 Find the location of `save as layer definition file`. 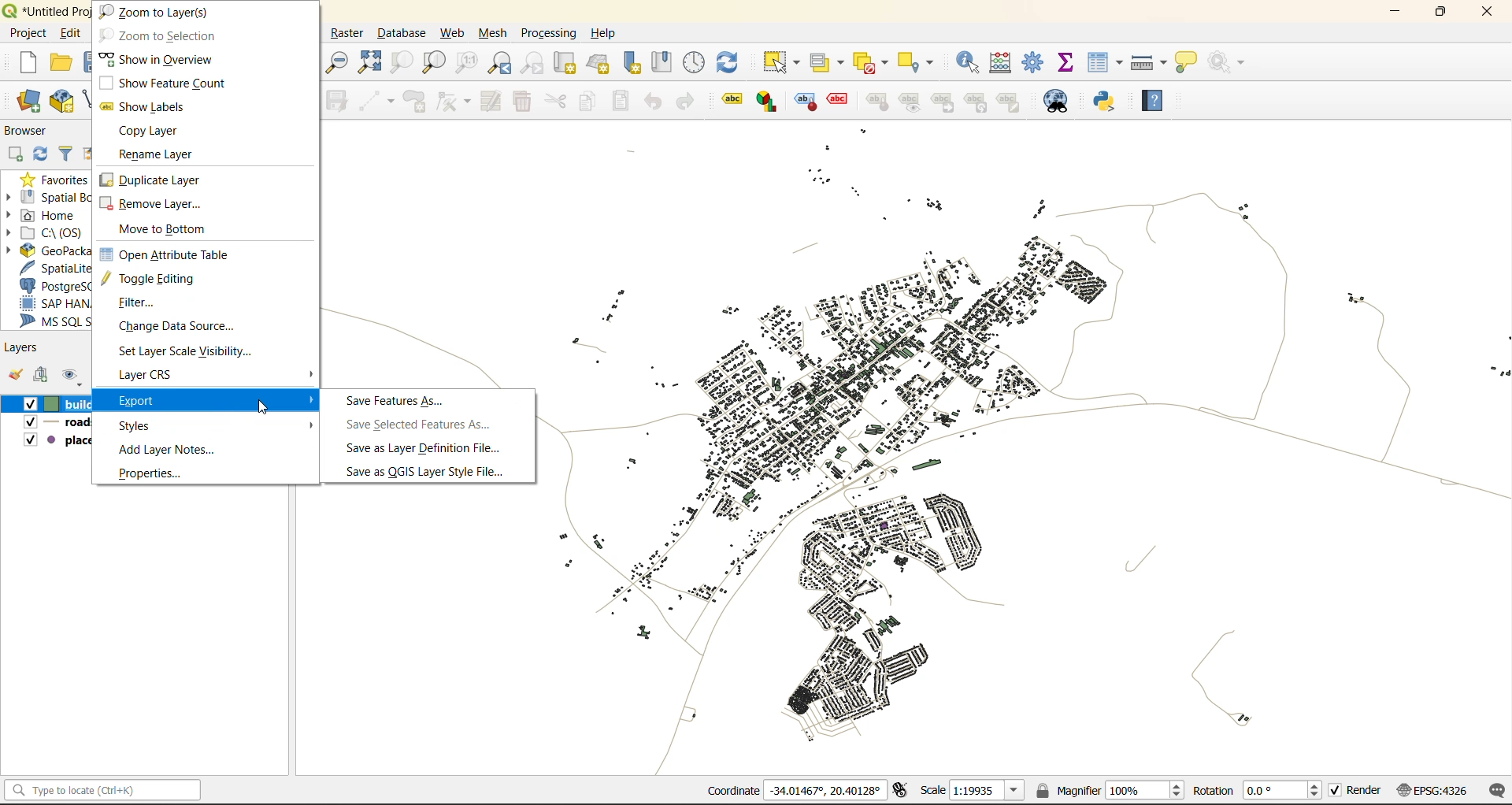

save as layer definition file is located at coordinates (427, 448).